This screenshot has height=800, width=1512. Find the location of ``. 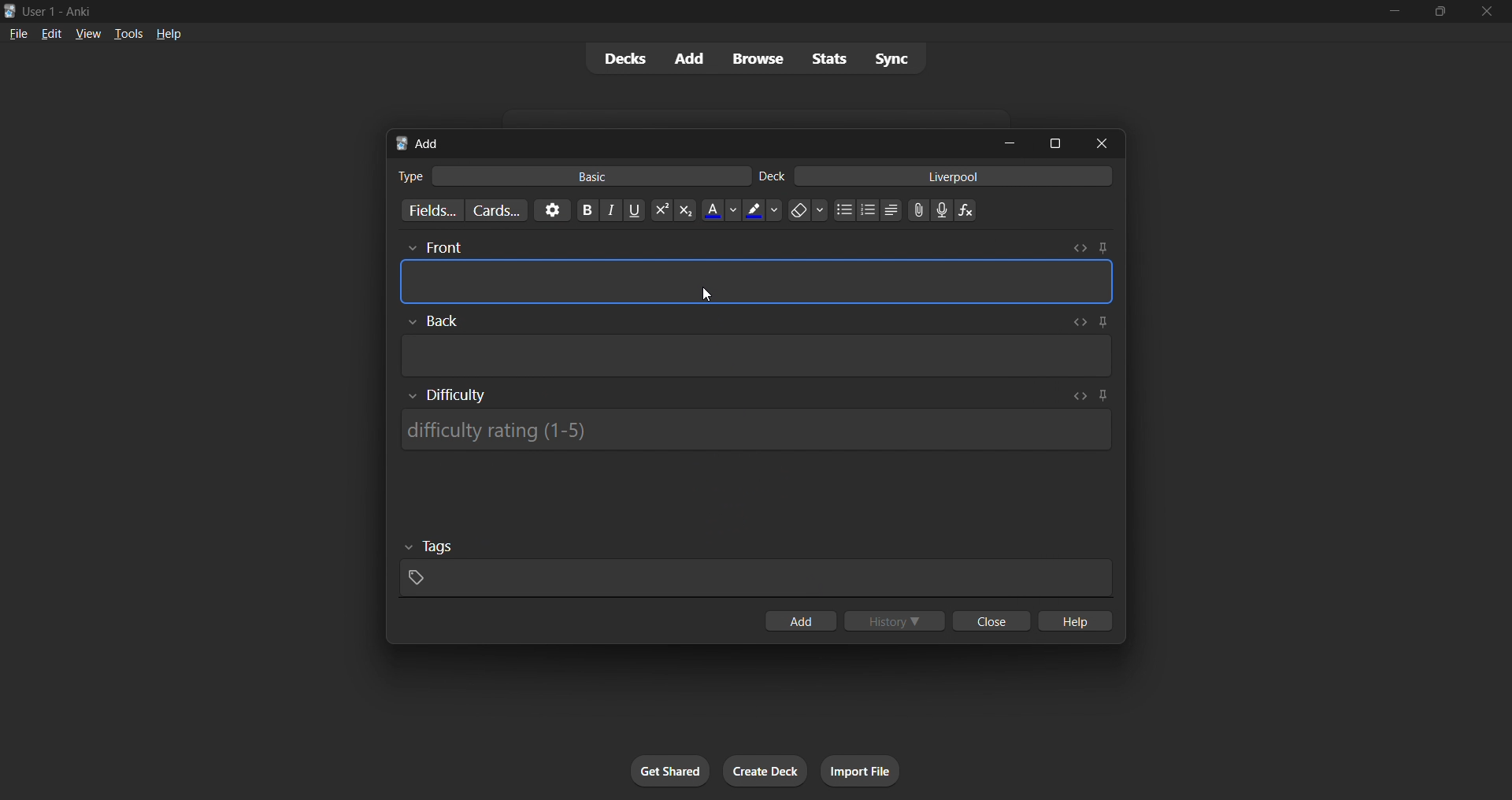

 is located at coordinates (430, 547).